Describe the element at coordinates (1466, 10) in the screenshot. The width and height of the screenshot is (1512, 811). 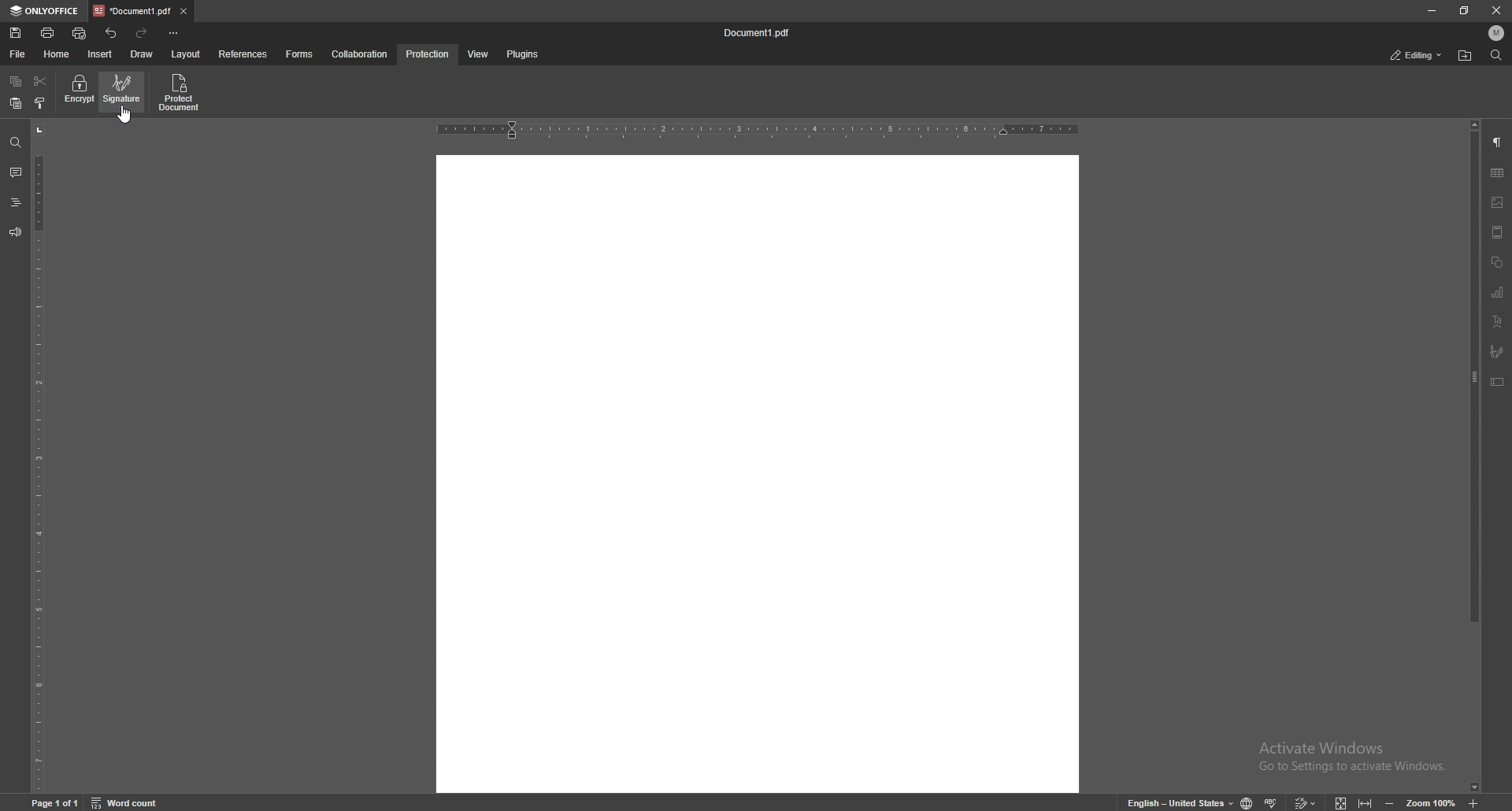
I see `resize` at that location.